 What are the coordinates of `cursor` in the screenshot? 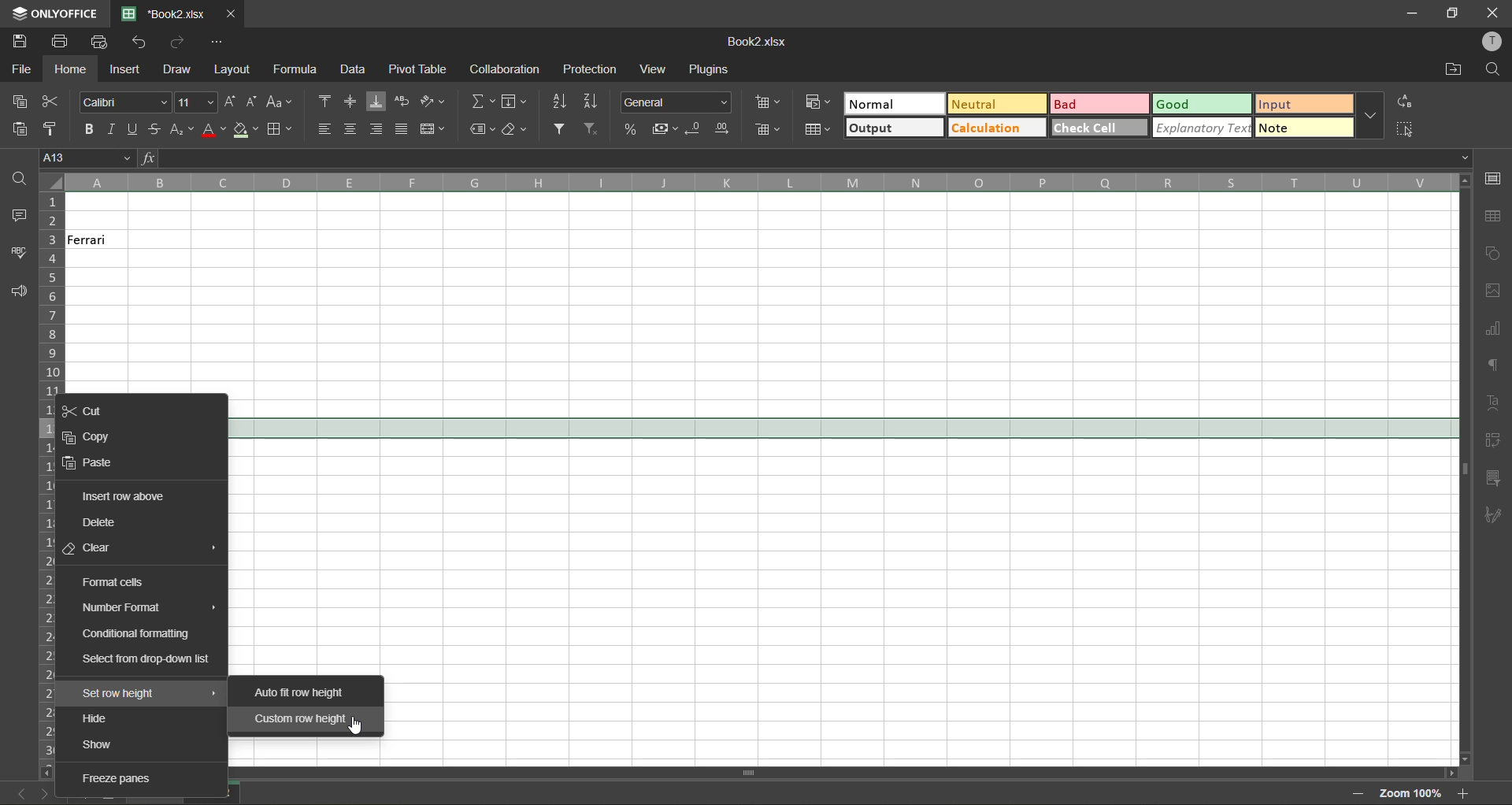 It's located at (357, 727).